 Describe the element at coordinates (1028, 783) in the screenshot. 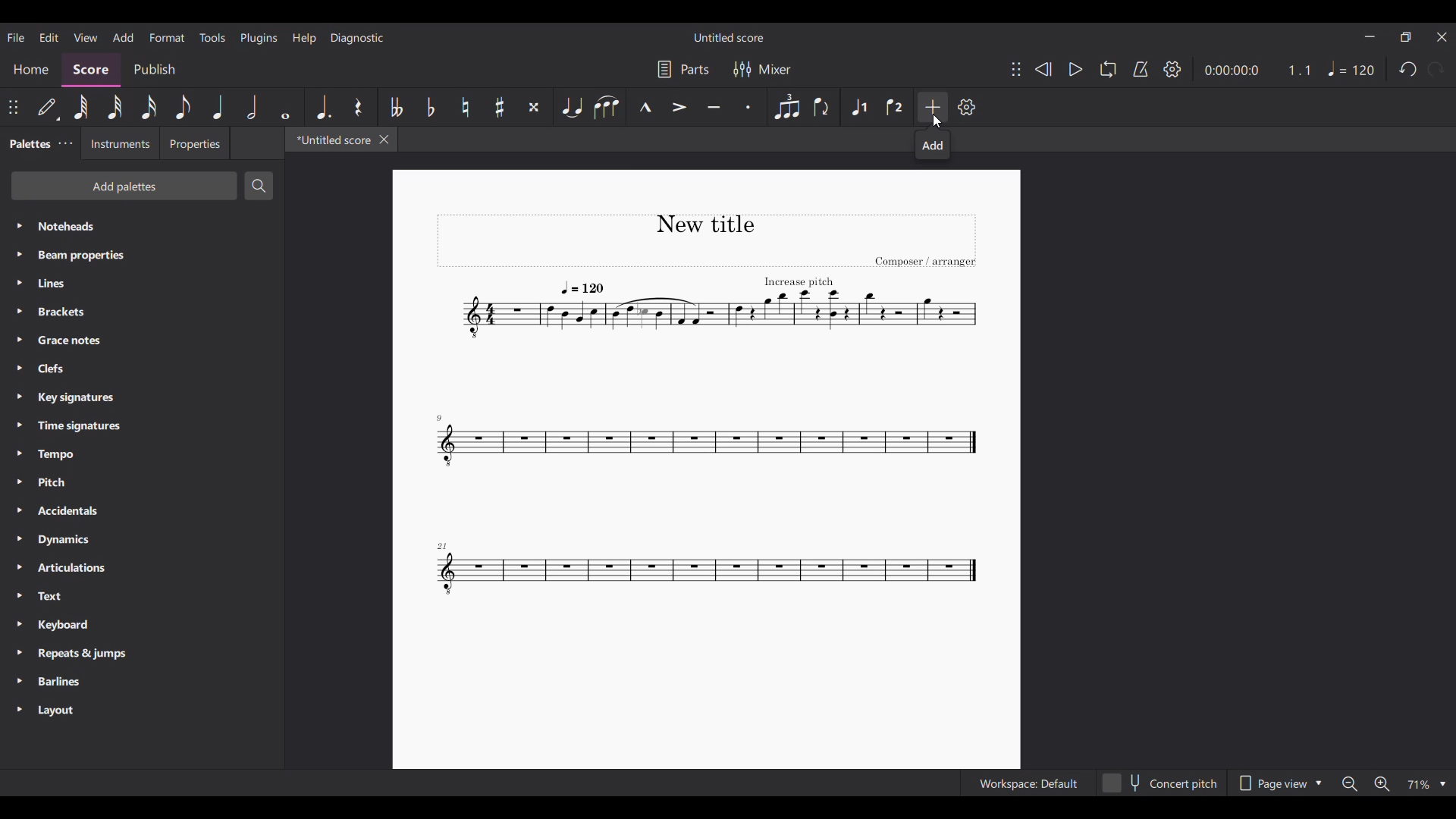

I see `Workspace: Default` at that location.